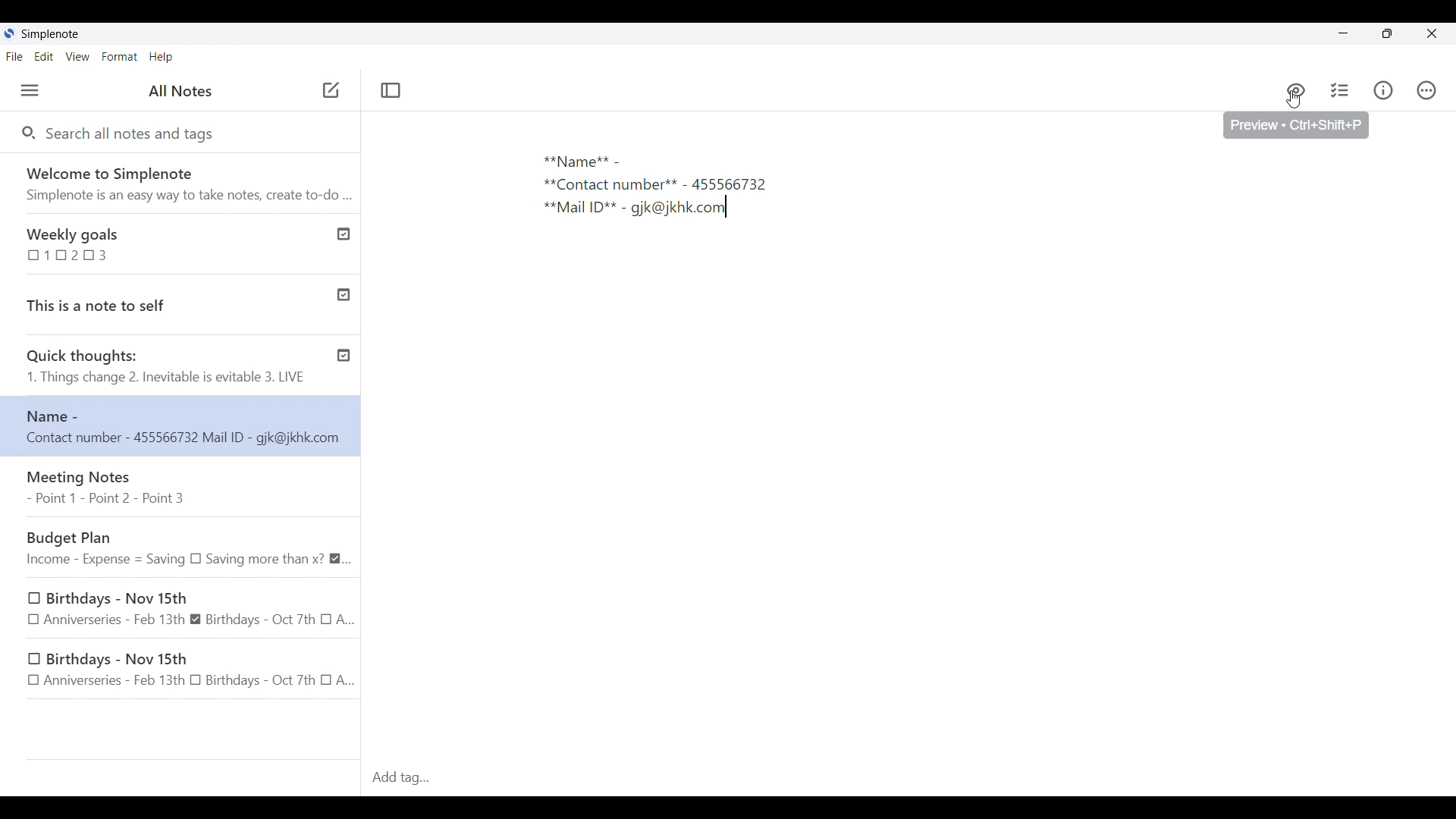 Image resolution: width=1456 pixels, height=819 pixels. I want to click on Close interface, so click(1431, 33).